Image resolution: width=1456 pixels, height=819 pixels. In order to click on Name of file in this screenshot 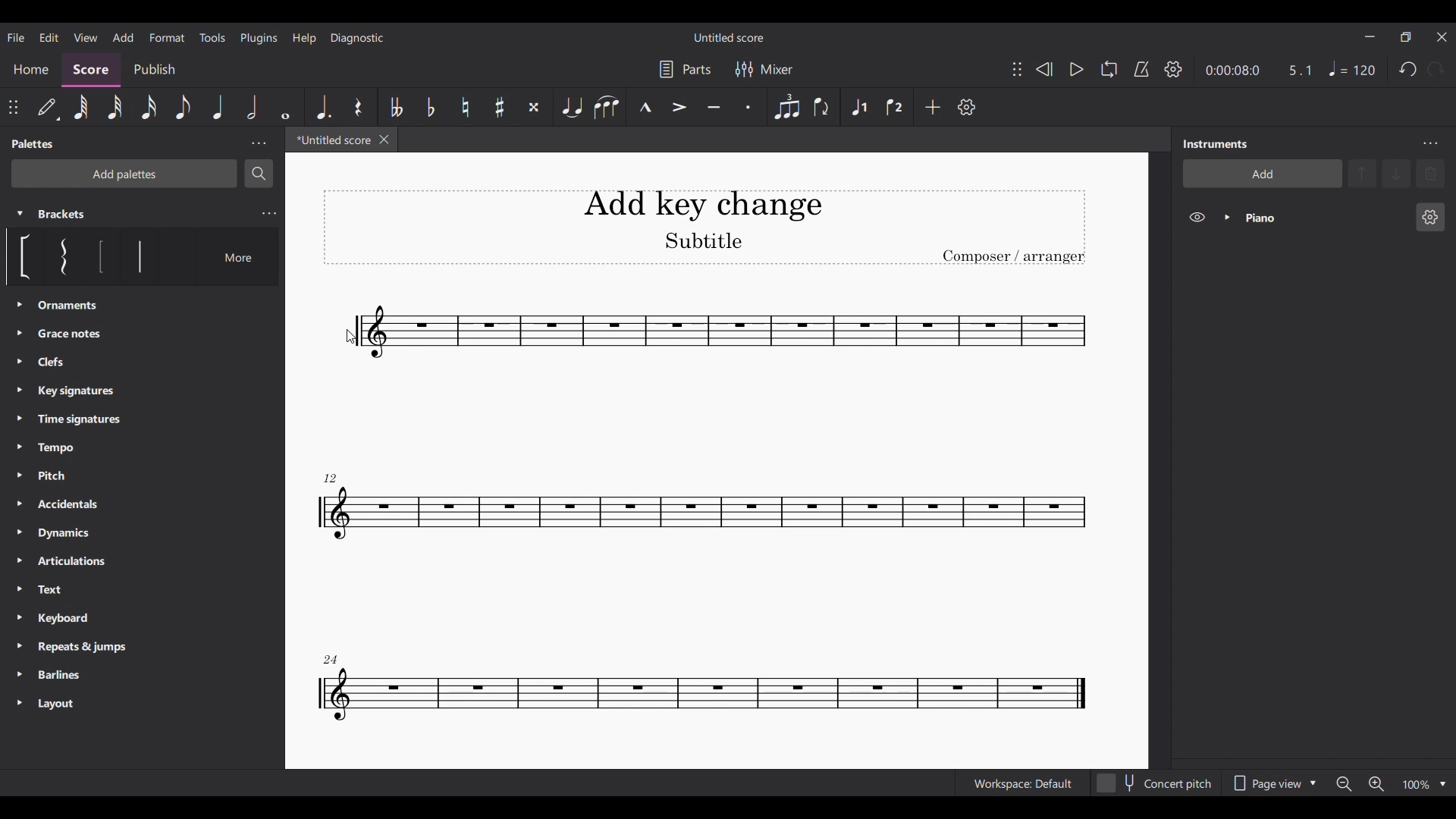, I will do `click(730, 37)`.